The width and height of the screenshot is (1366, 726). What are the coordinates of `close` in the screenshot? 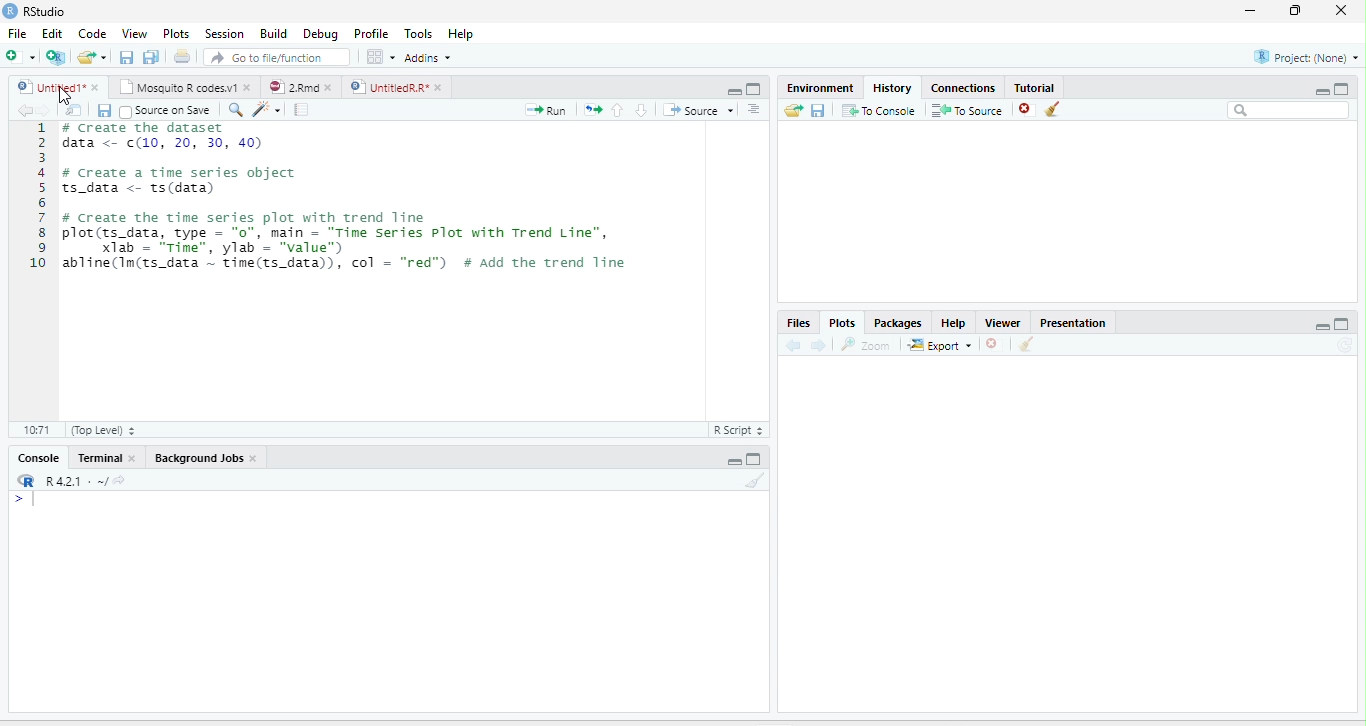 It's located at (248, 87).